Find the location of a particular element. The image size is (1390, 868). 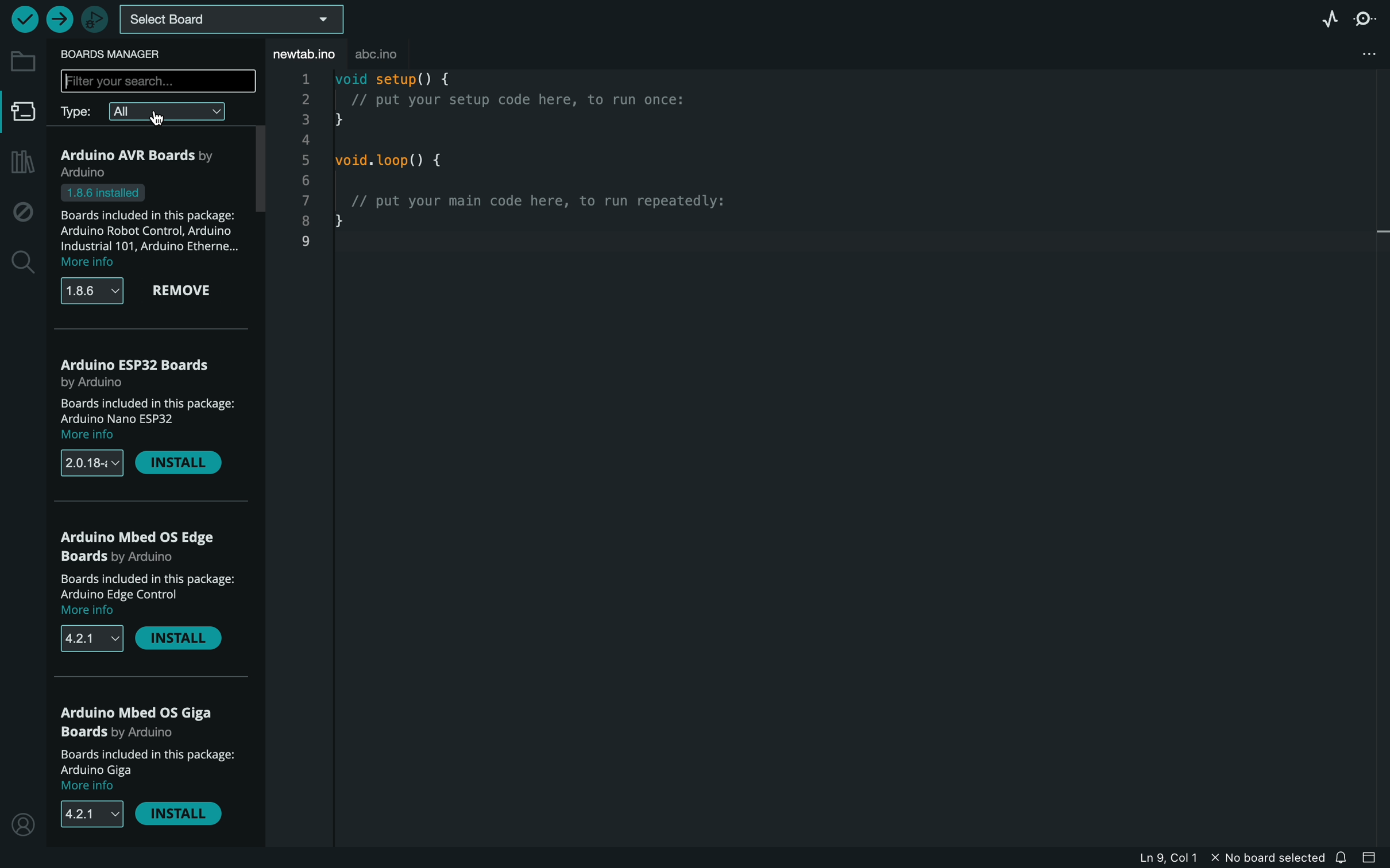

description is located at coordinates (156, 418).